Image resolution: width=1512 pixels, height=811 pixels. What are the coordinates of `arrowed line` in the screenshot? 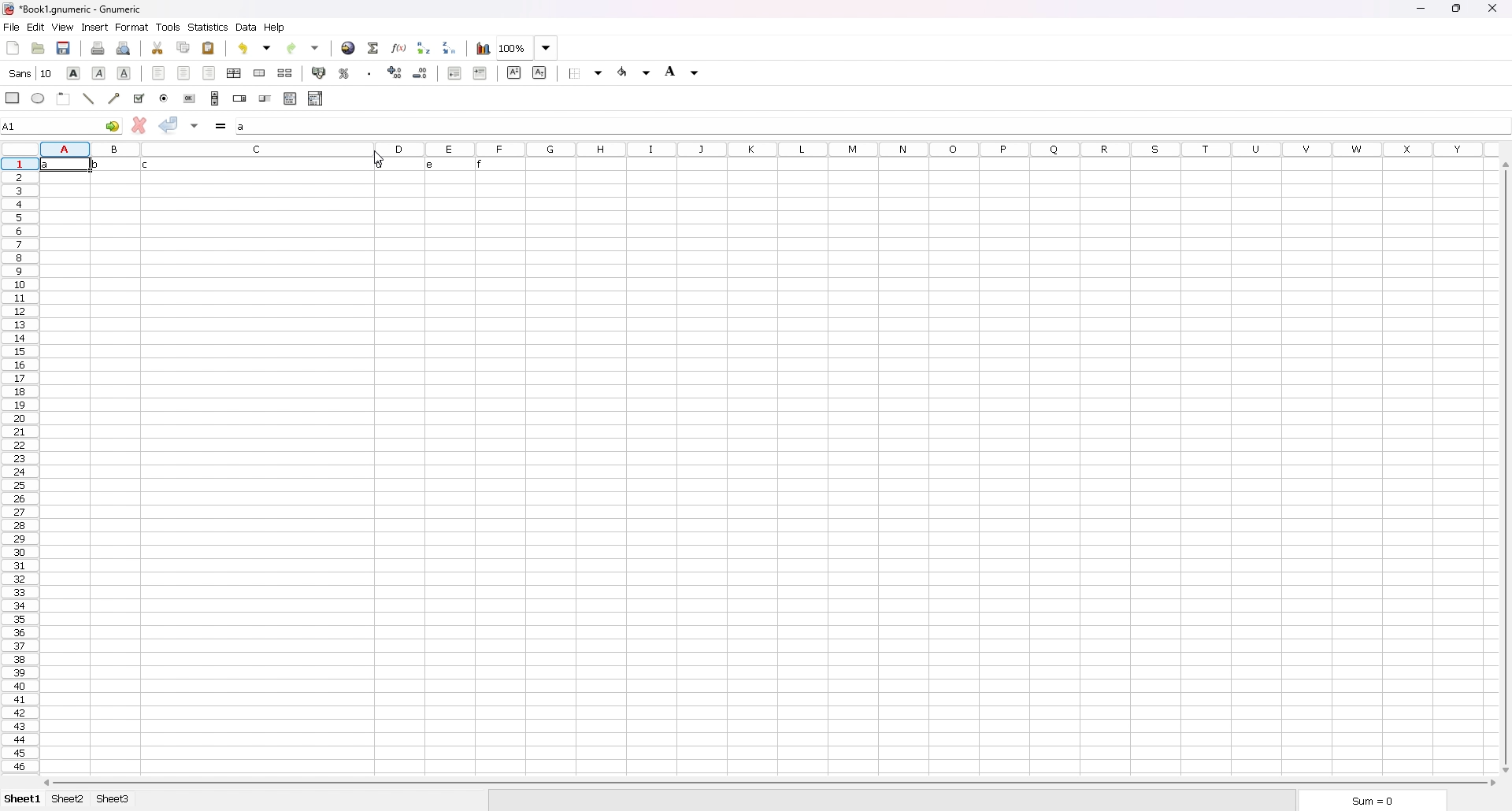 It's located at (116, 97).